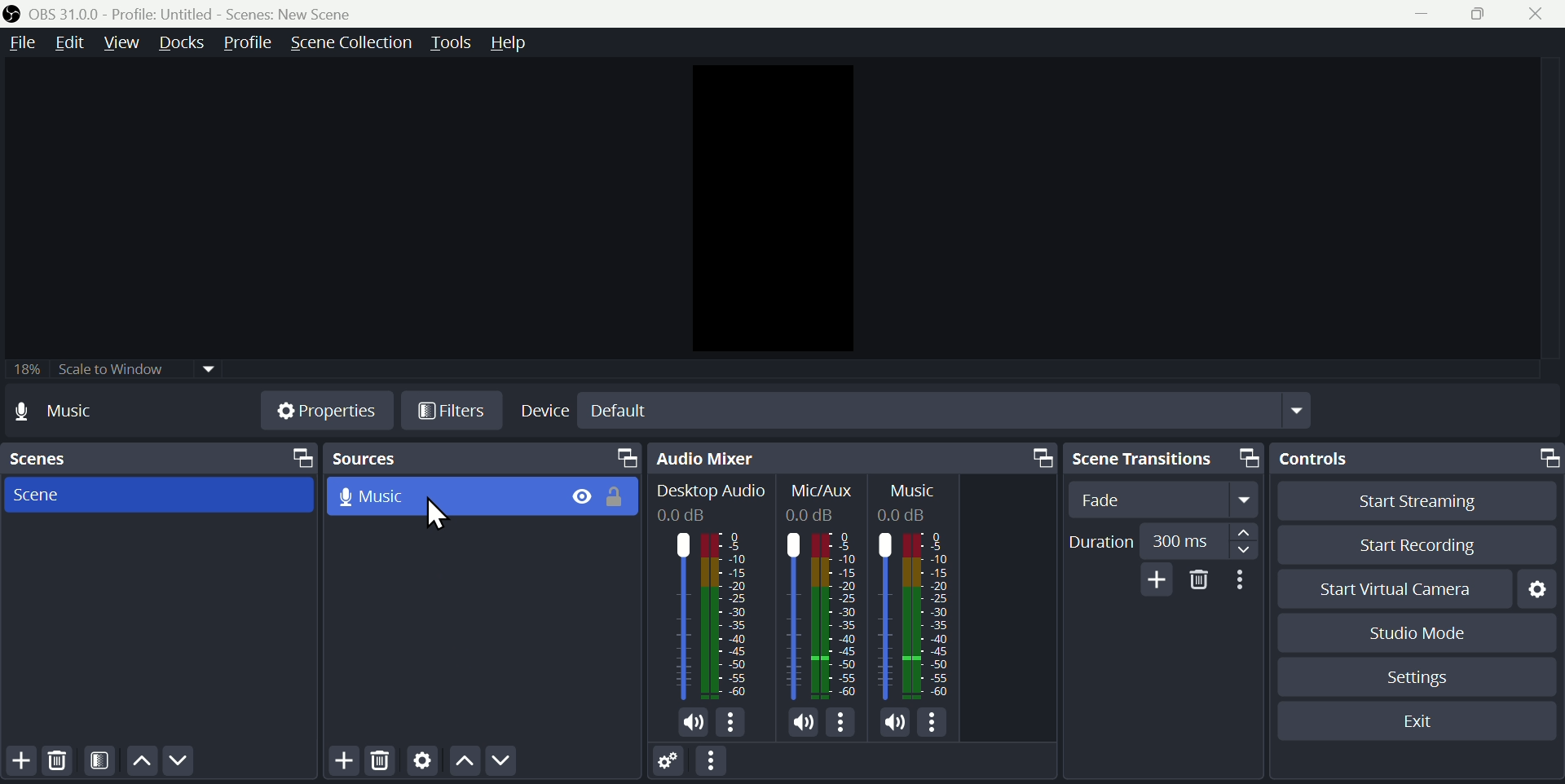 Image resolution: width=1565 pixels, height=784 pixels. Describe the element at coordinates (1300, 410) in the screenshot. I see `Drop down ` at that location.